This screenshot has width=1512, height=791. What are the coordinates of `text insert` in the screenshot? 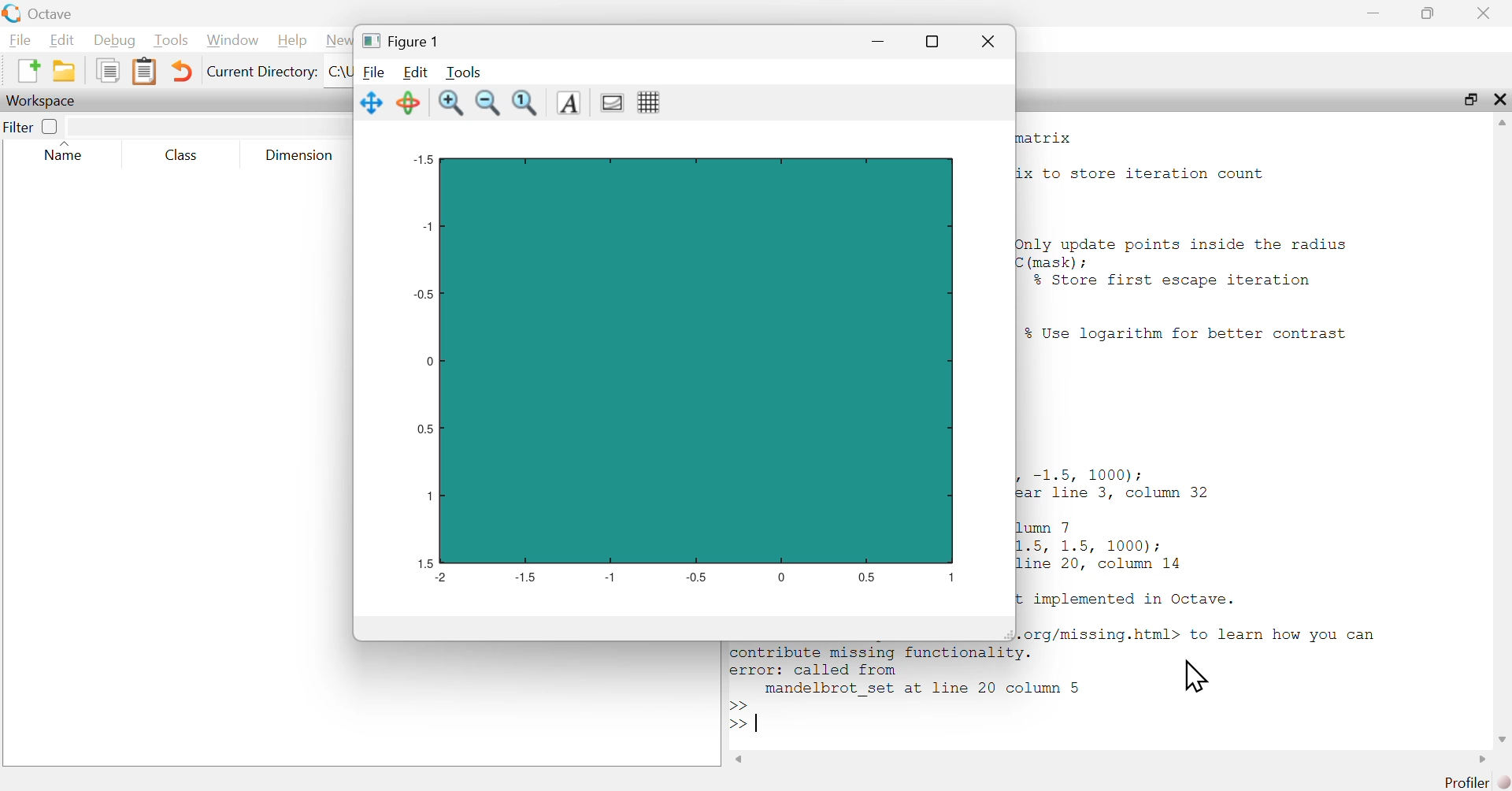 It's located at (569, 103).